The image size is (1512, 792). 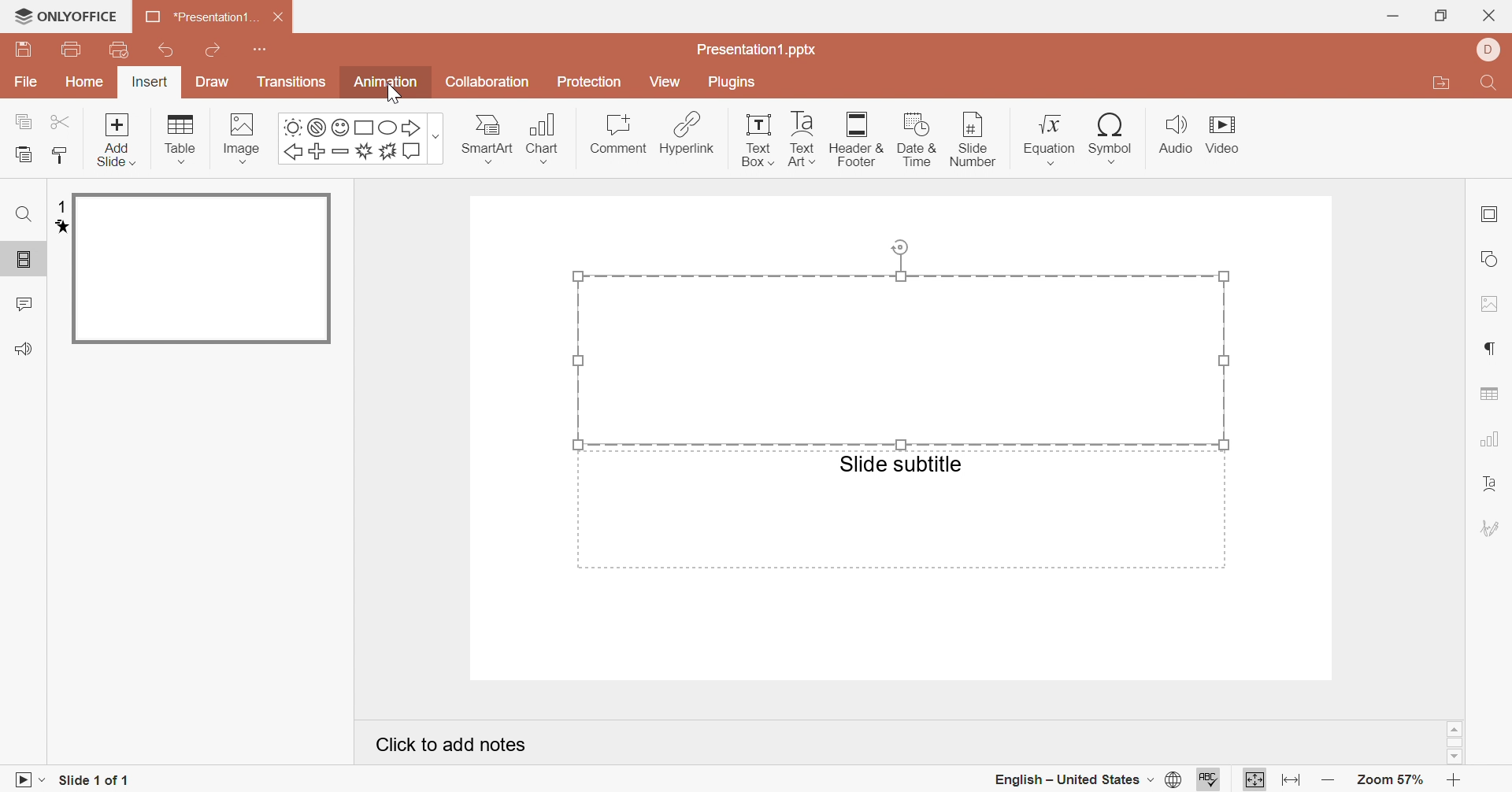 What do you see at coordinates (117, 140) in the screenshot?
I see `add slide` at bounding box center [117, 140].